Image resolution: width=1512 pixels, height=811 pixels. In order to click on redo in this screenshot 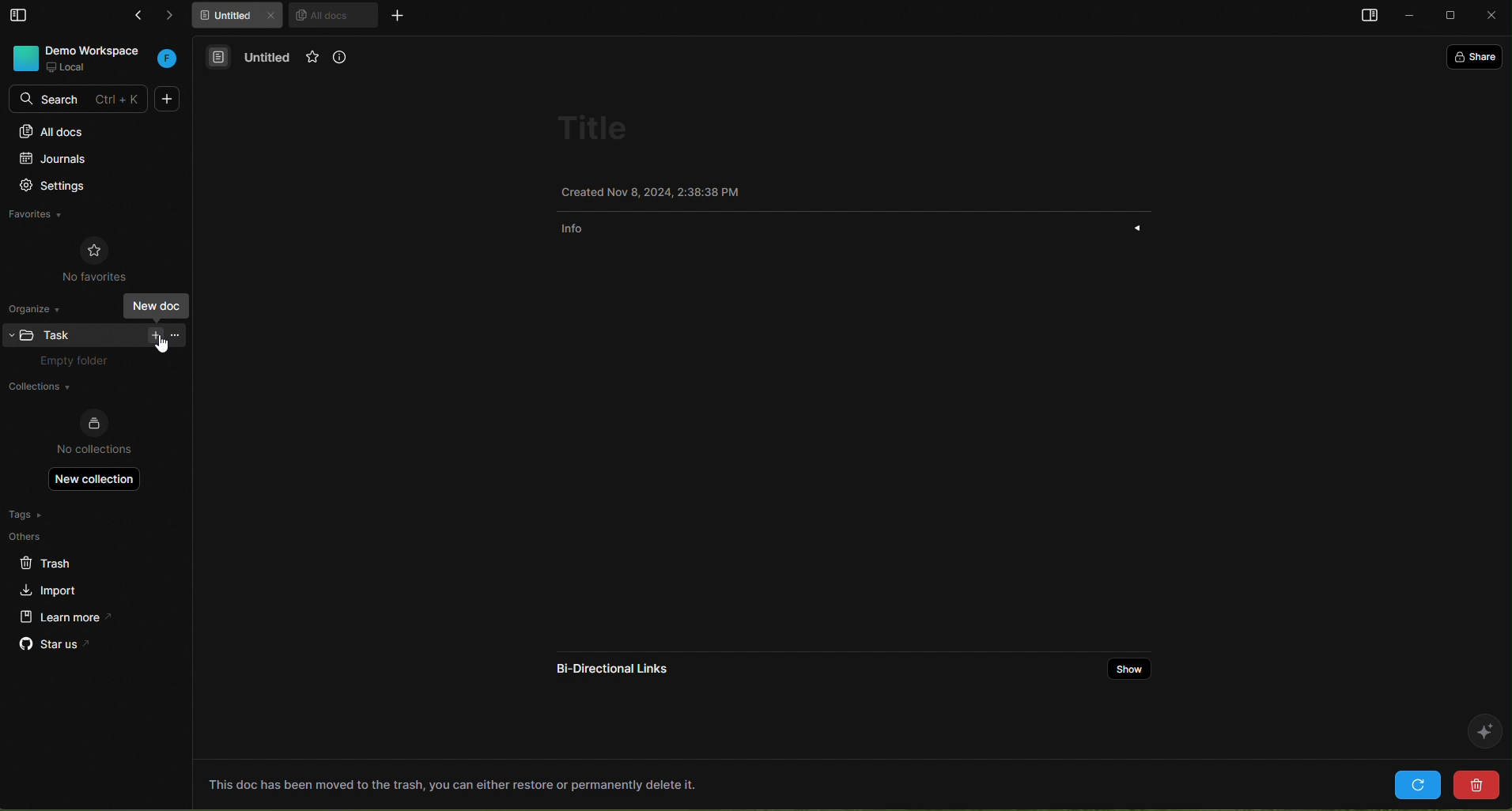, I will do `click(1418, 784)`.